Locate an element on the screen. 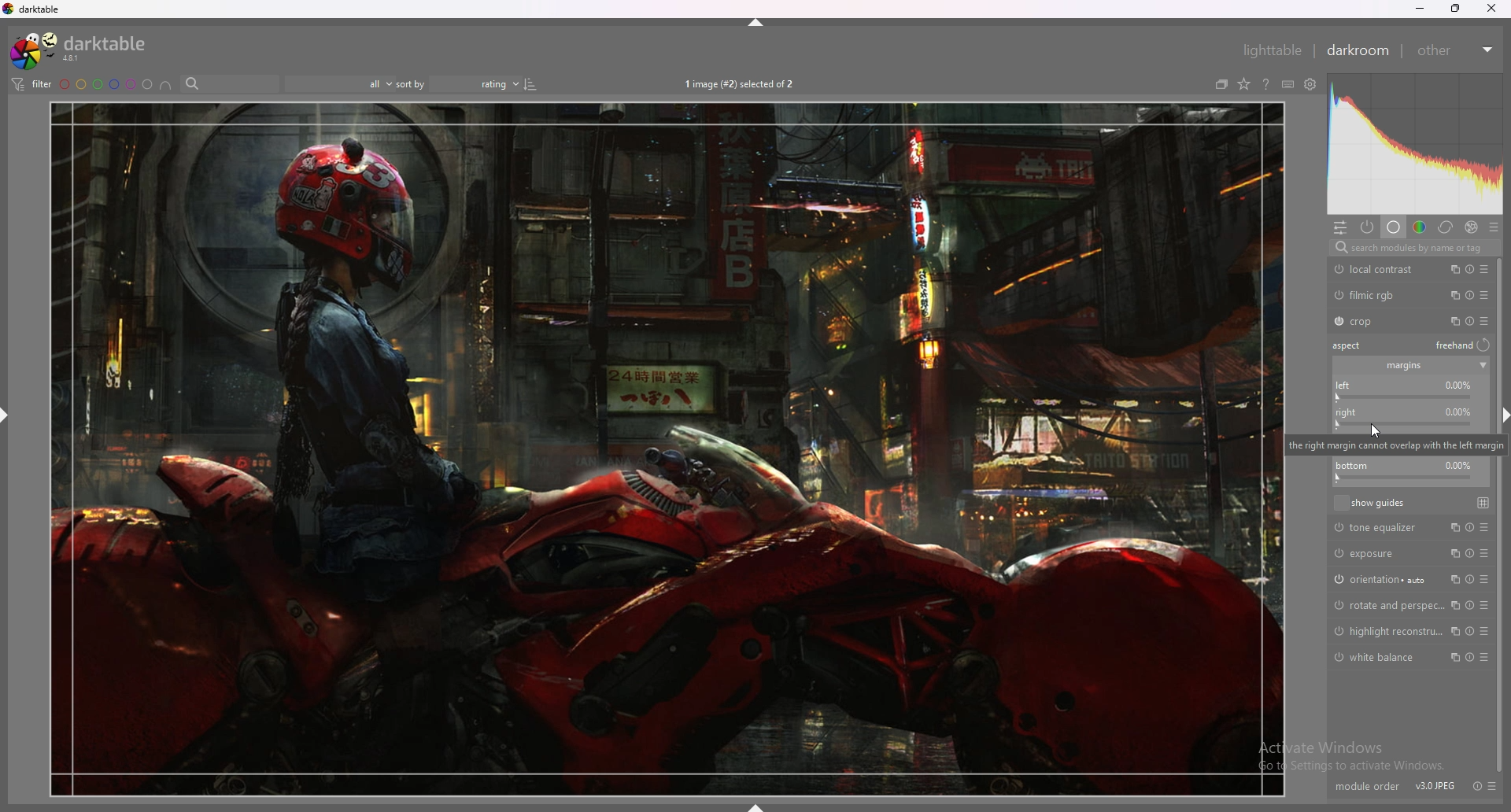  white balance is located at coordinates (1380, 657).